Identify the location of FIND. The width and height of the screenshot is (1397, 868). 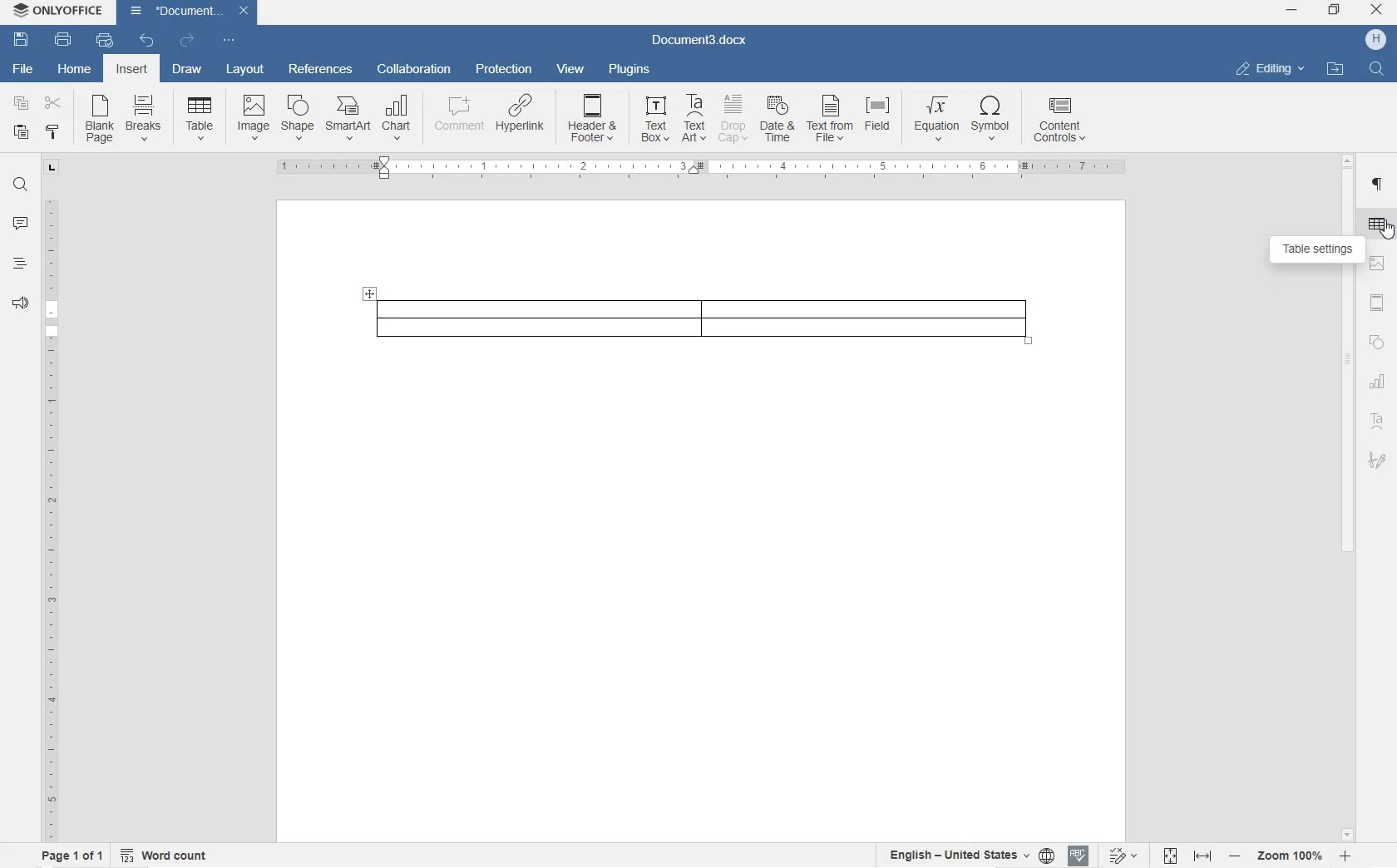
(19, 187).